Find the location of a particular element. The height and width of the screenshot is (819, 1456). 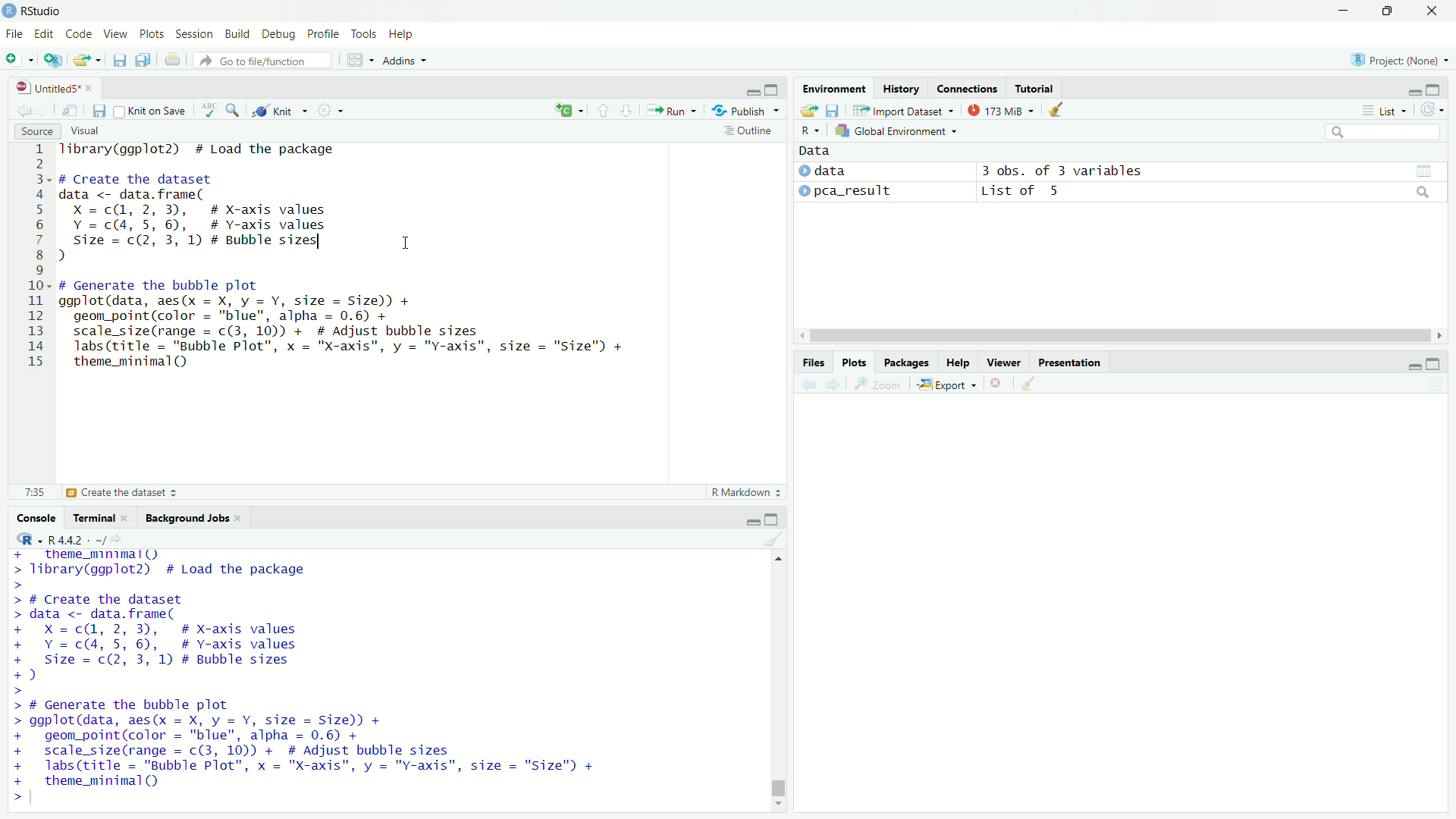

new file is located at coordinates (20, 59).